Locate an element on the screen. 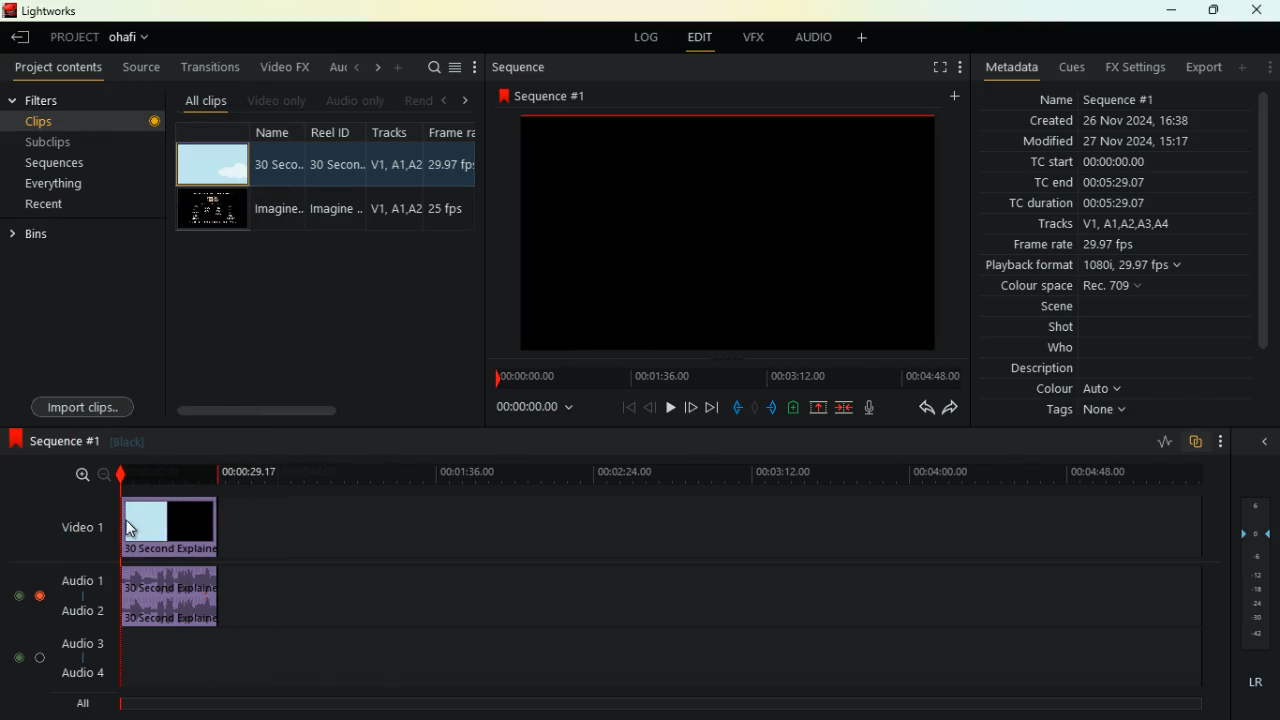  everything is located at coordinates (61, 184).